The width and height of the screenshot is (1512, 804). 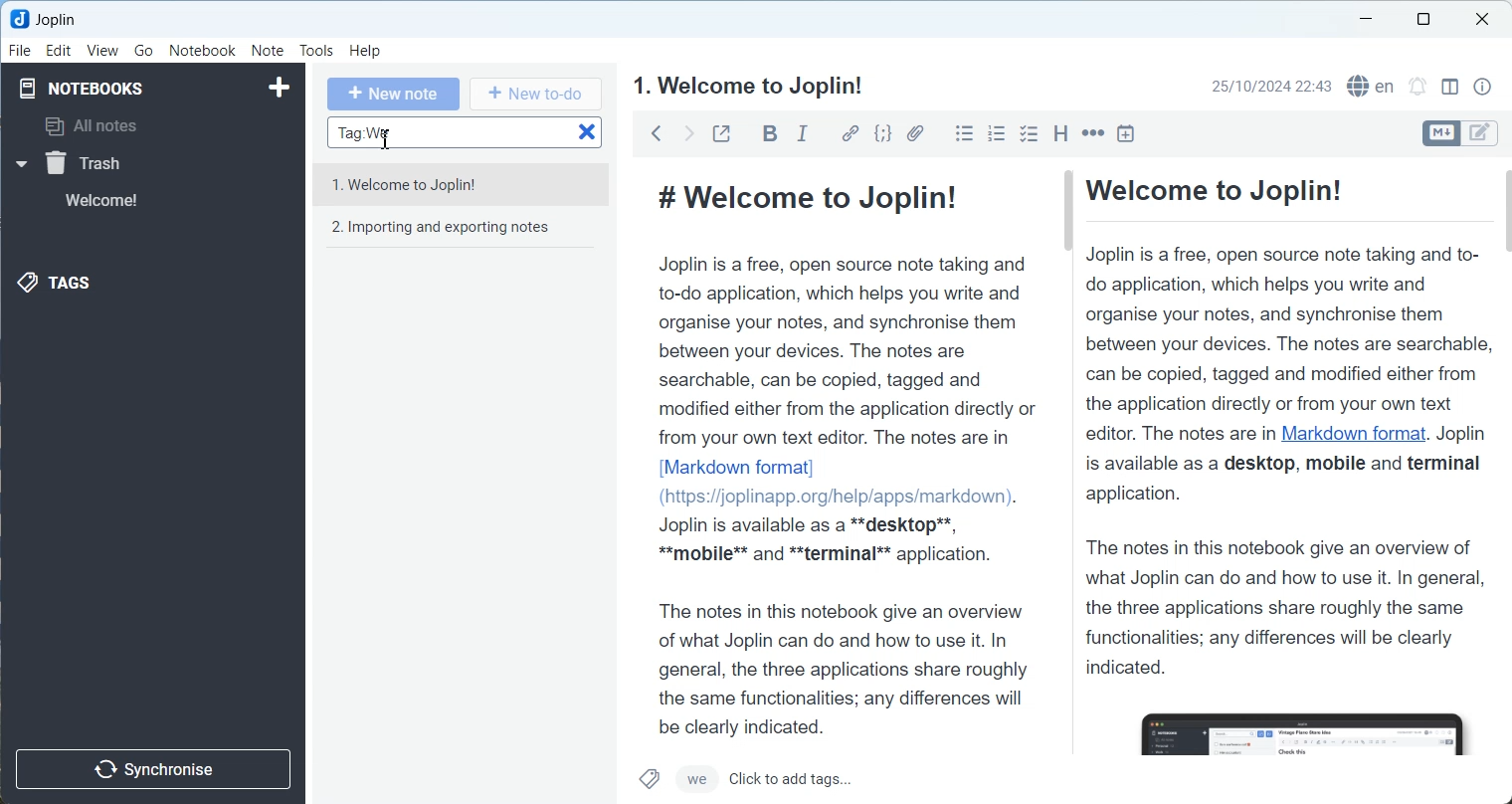 What do you see at coordinates (1371, 86) in the screenshot?
I see `Spell checker` at bounding box center [1371, 86].